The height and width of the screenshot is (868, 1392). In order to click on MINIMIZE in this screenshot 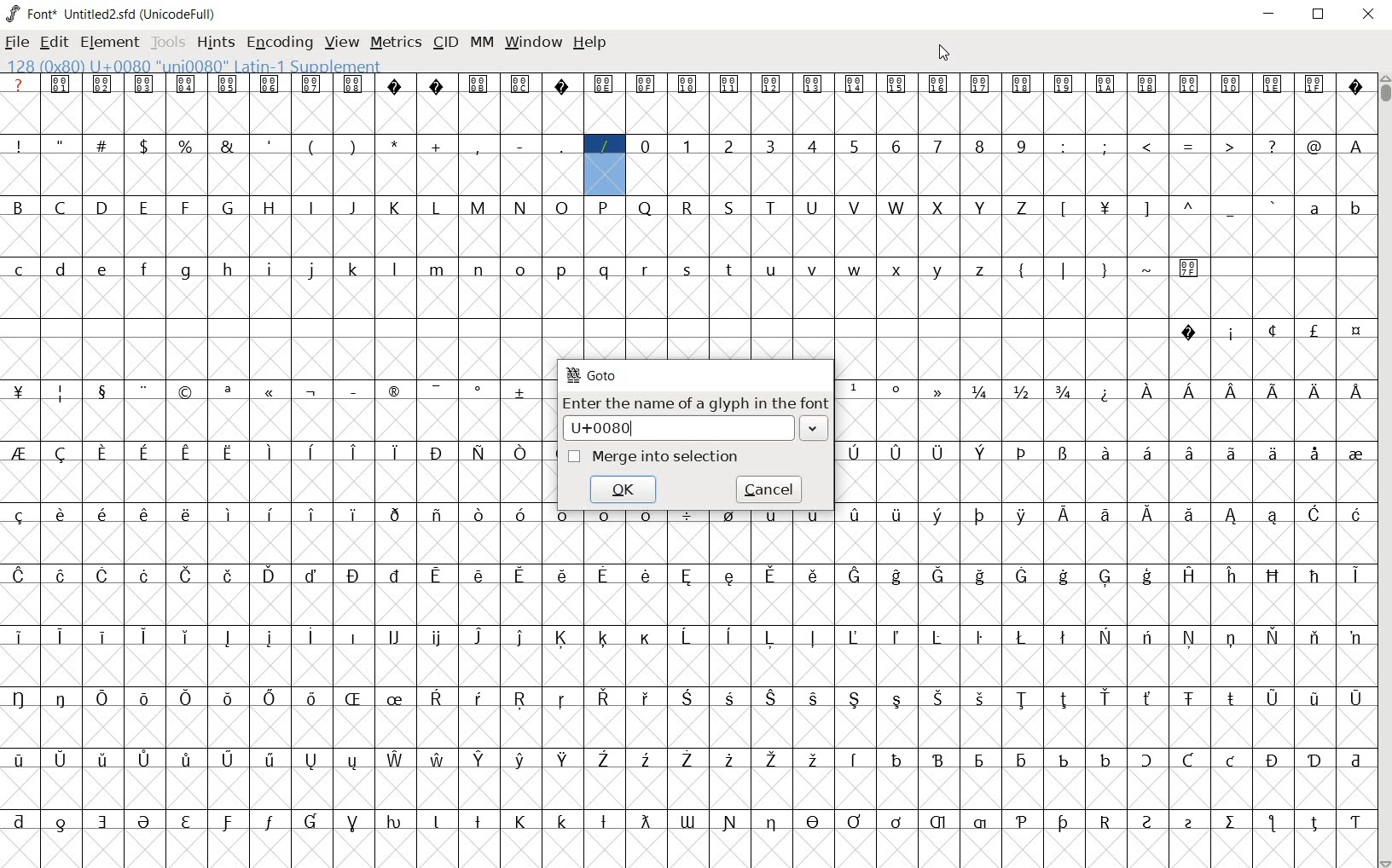, I will do `click(1271, 13)`.